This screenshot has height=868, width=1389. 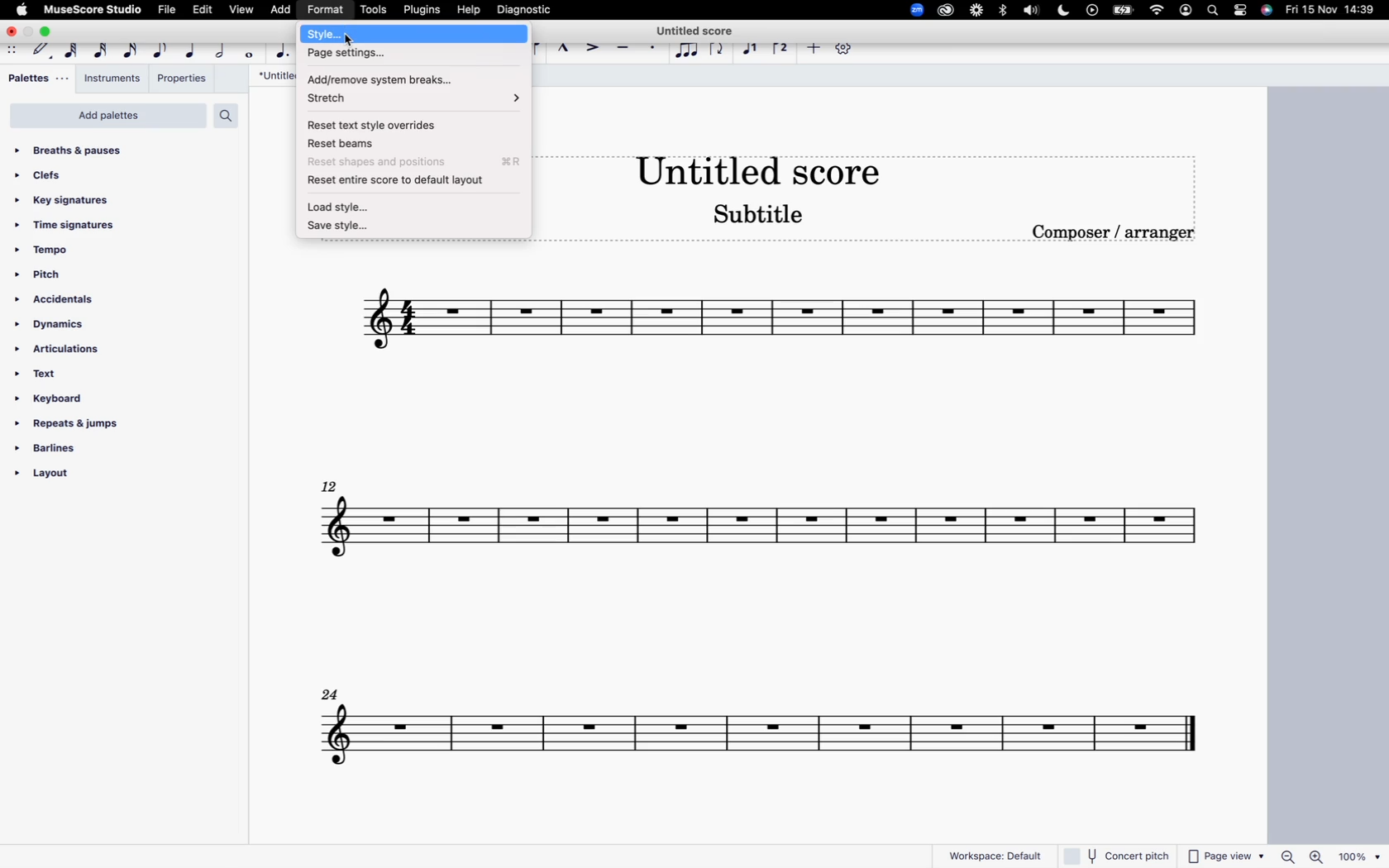 I want to click on default, so click(x=41, y=51).